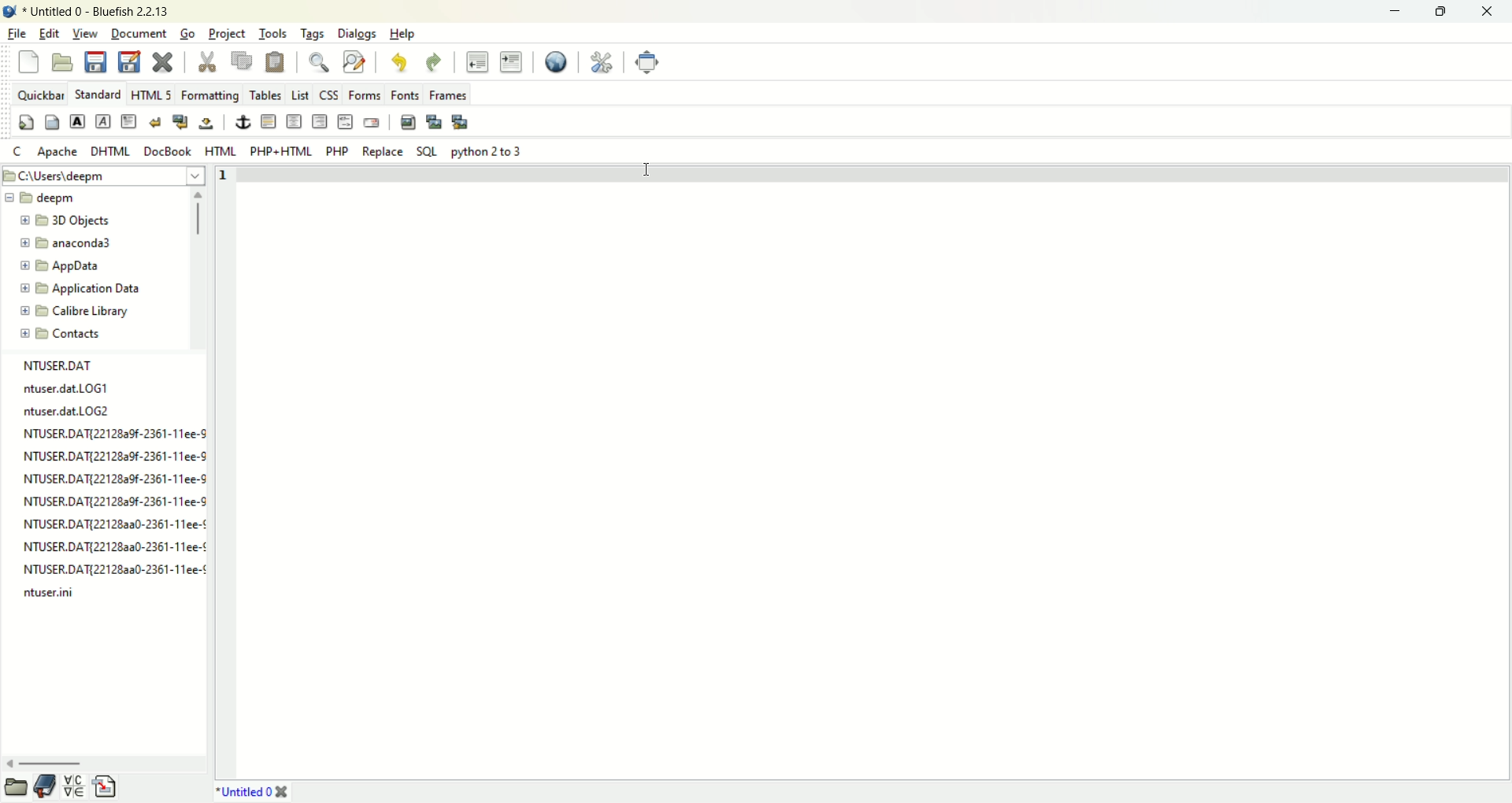 The width and height of the screenshot is (1512, 803). What do you see at coordinates (128, 120) in the screenshot?
I see `paragraph` at bounding box center [128, 120].